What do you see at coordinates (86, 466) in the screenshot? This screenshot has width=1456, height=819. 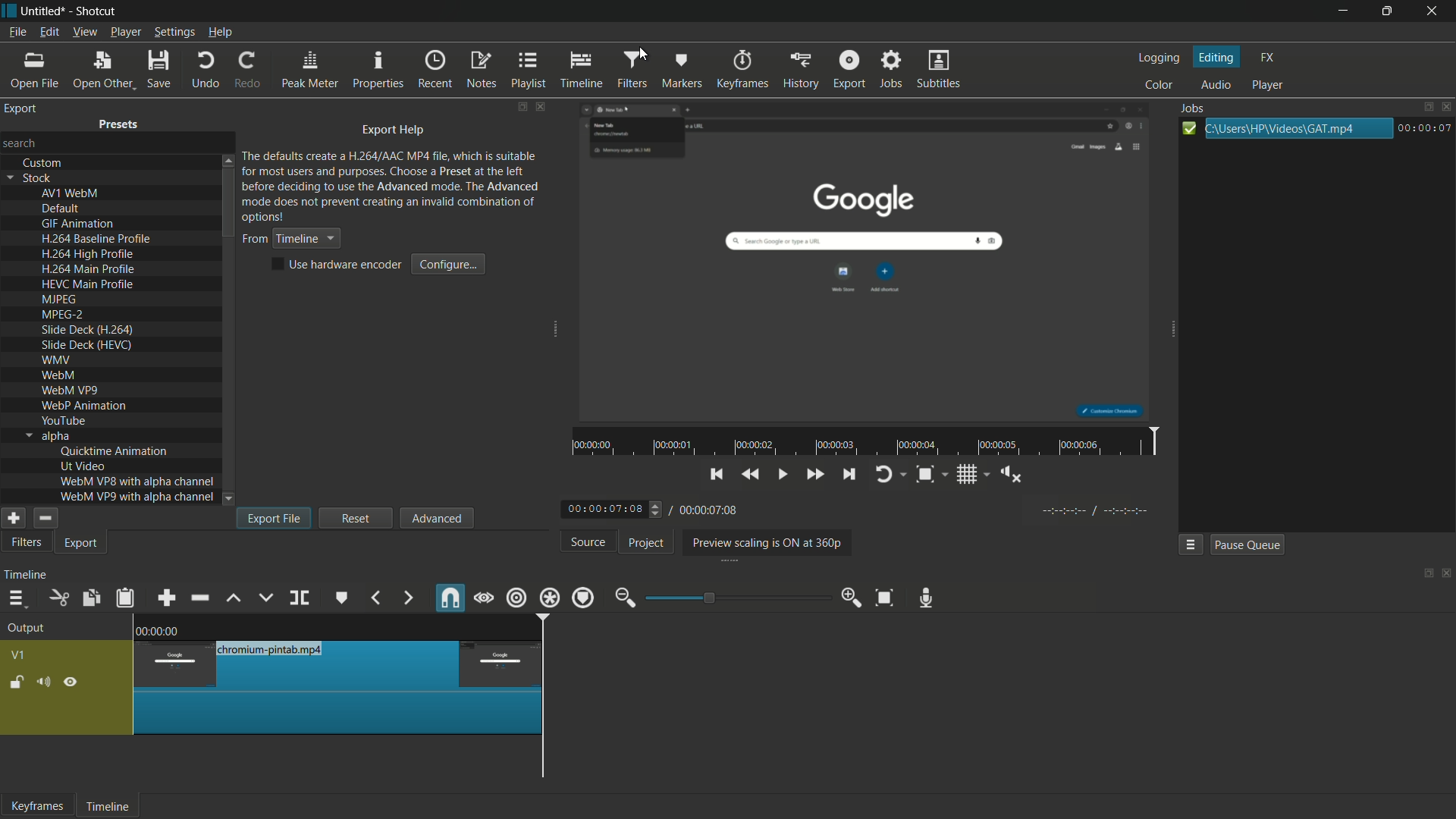 I see `Ut Video` at bounding box center [86, 466].